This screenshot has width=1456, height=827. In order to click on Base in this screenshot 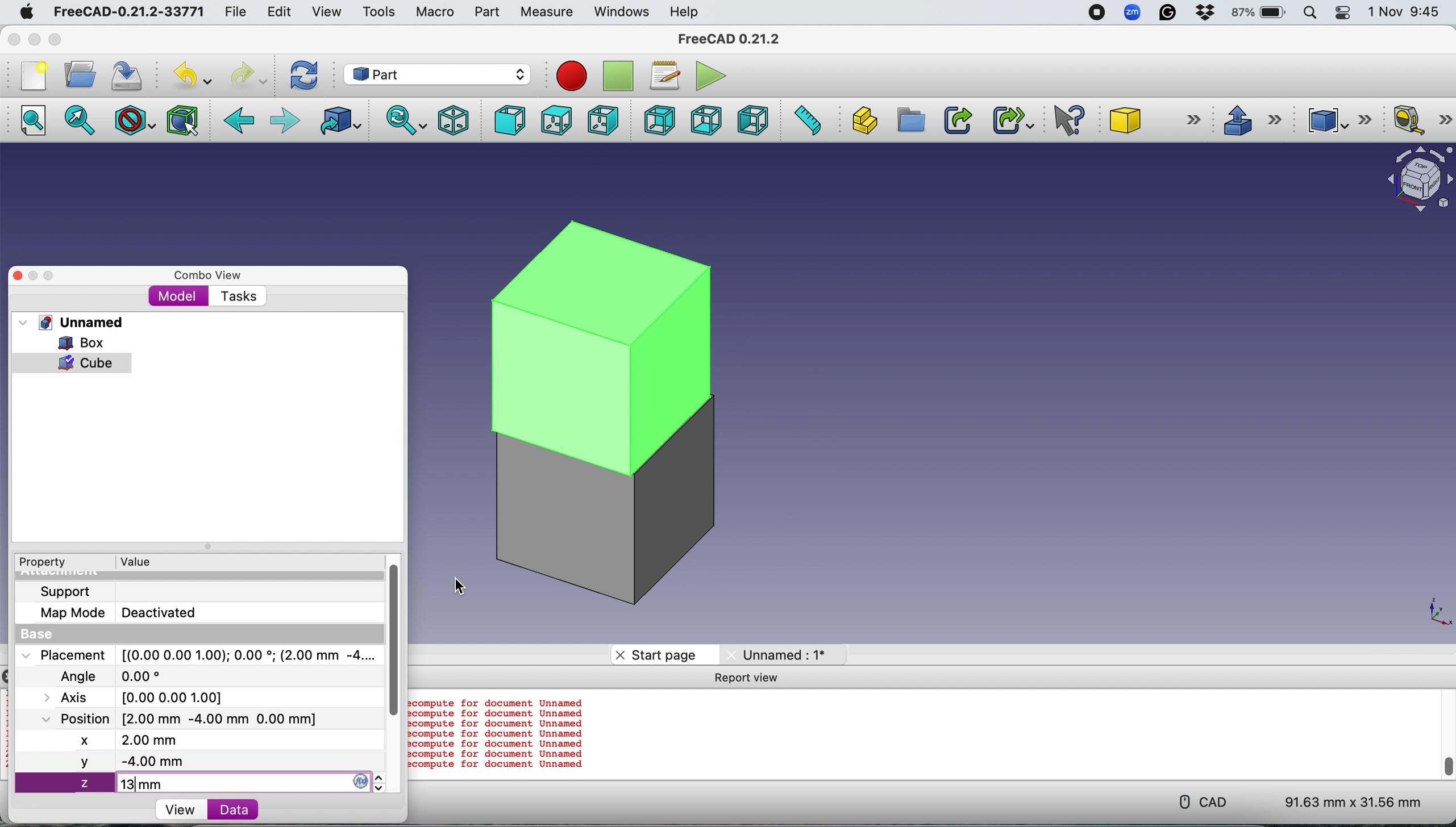, I will do `click(48, 634)`.